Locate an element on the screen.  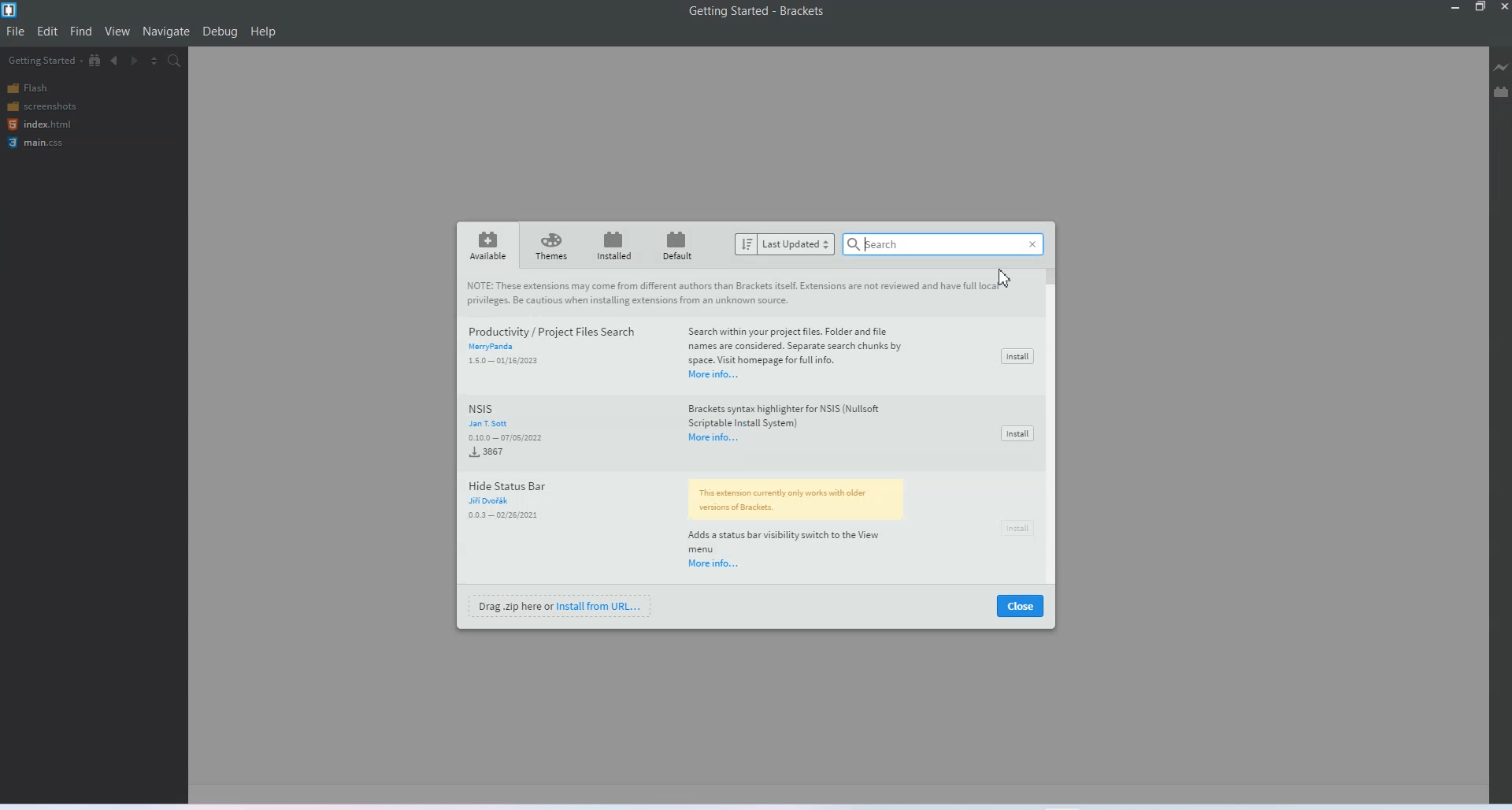
Find in files is located at coordinates (175, 61).